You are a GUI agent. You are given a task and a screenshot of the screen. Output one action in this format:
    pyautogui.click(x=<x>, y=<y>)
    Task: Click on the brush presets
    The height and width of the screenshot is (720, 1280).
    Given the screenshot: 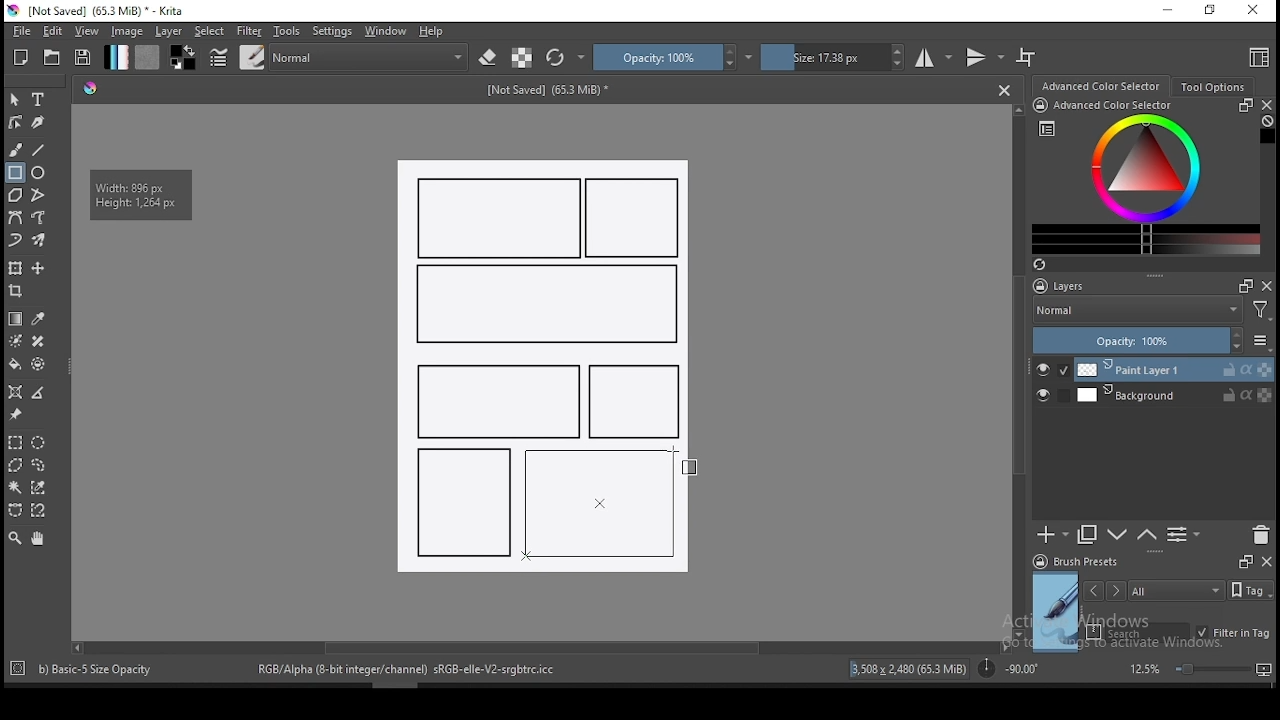 What is the action you would take?
    pyautogui.click(x=1082, y=562)
    